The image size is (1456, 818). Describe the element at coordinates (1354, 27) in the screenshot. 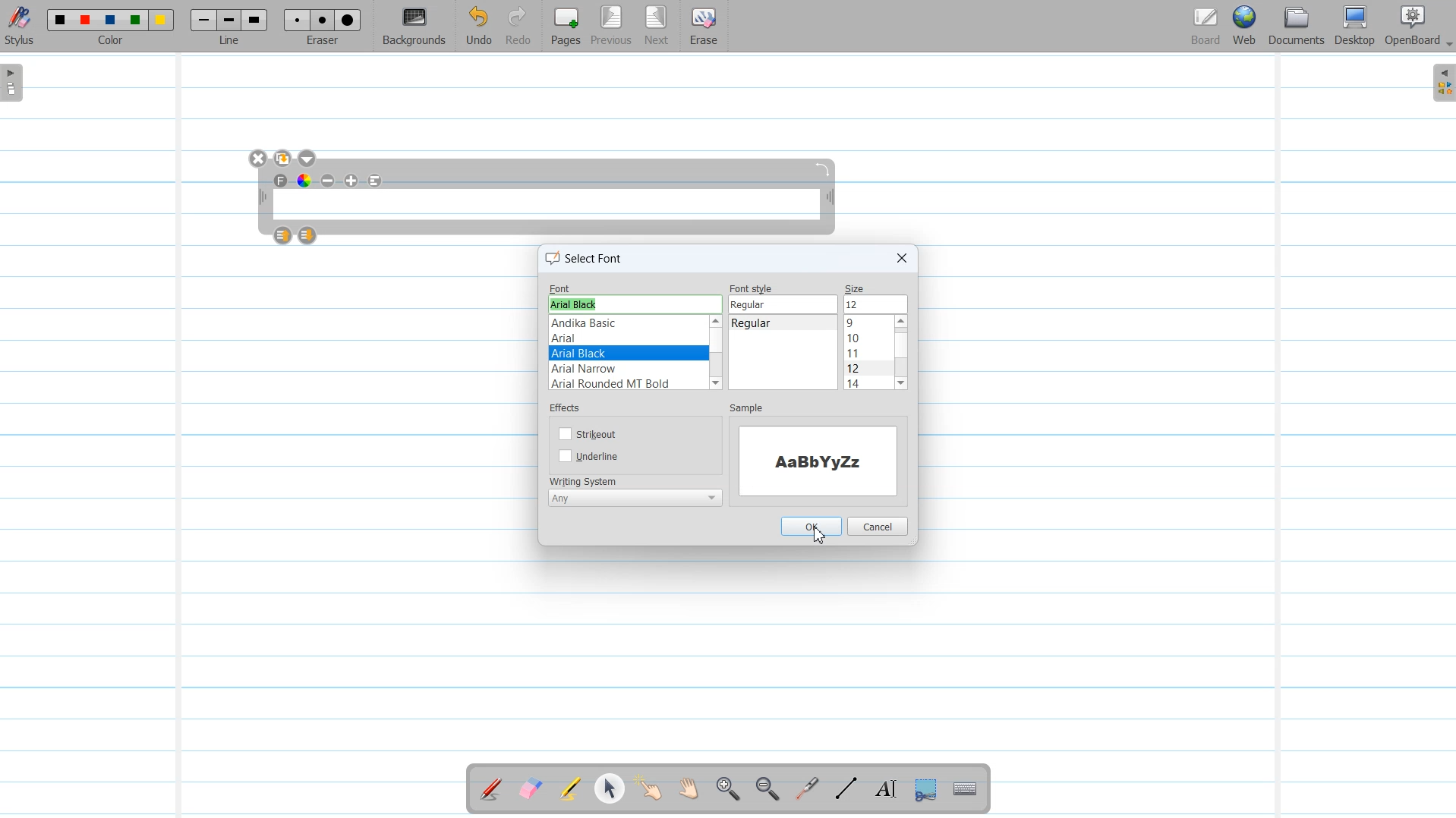

I see `Desktop` at that location.